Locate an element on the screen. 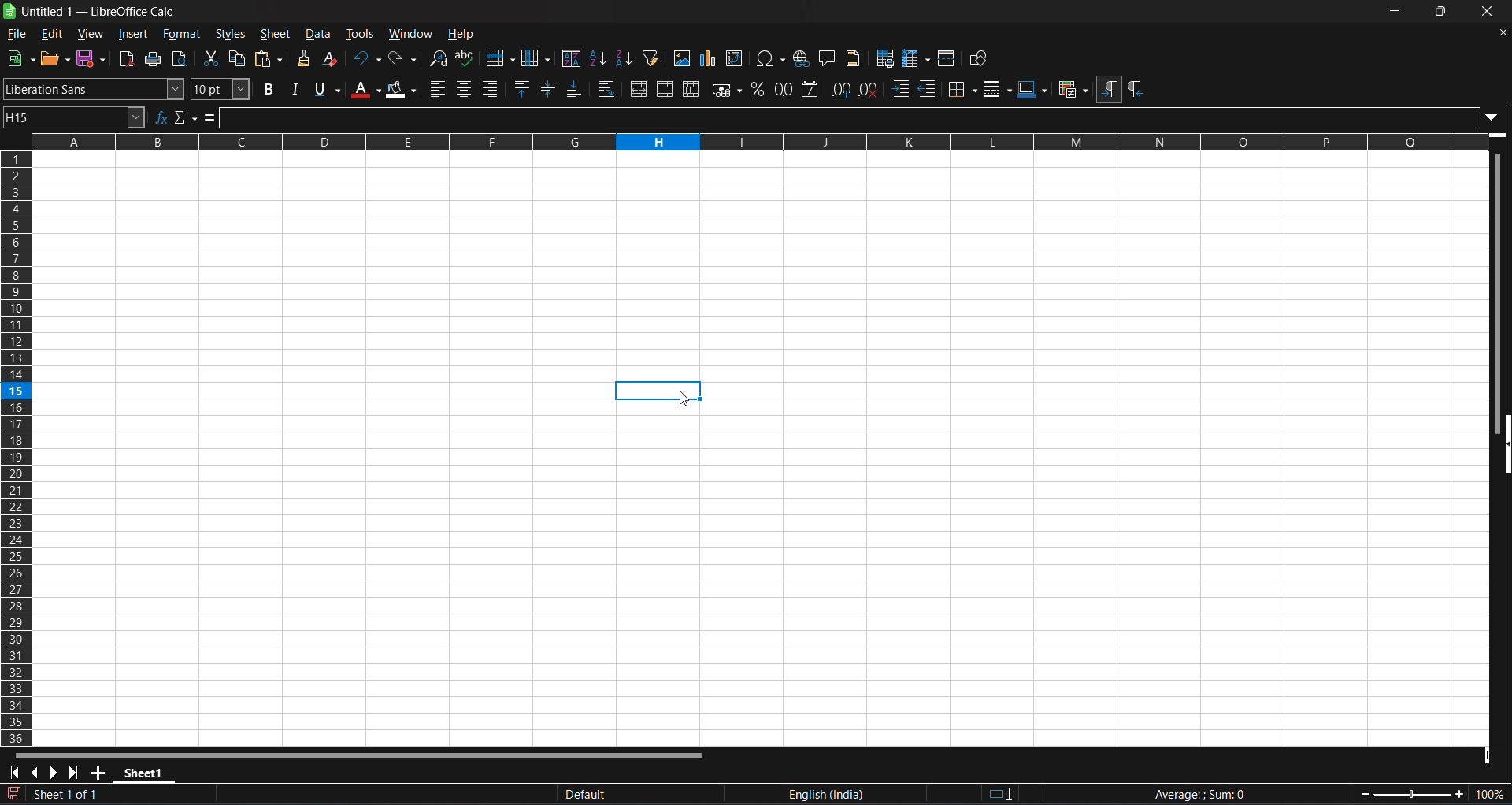 The image size is (1512, 805). format as date is located at coordinates (810, 89).